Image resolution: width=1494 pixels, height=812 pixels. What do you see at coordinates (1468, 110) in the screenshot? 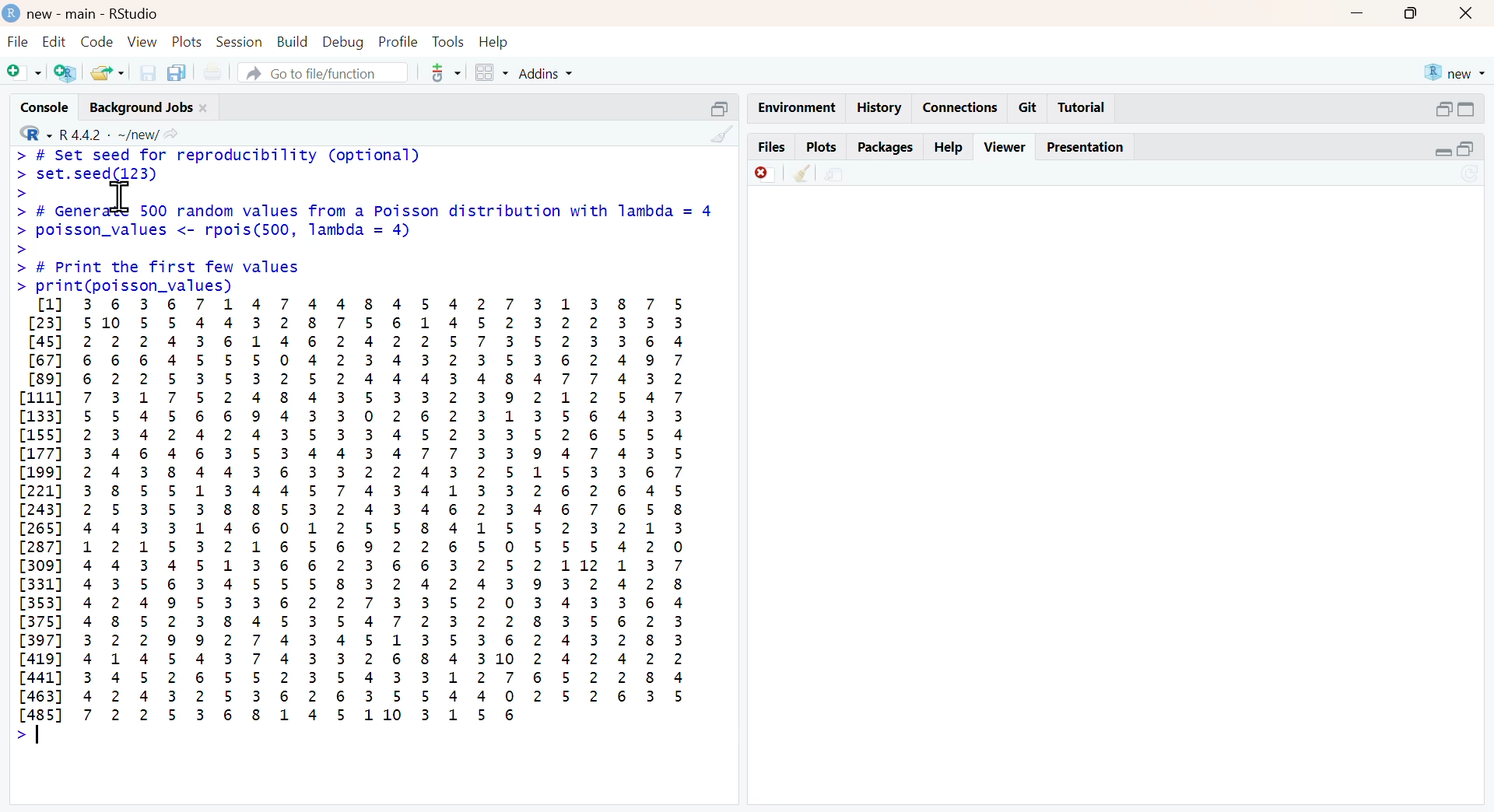
I see `expand/collapse` at bounding box center [1468, 110].